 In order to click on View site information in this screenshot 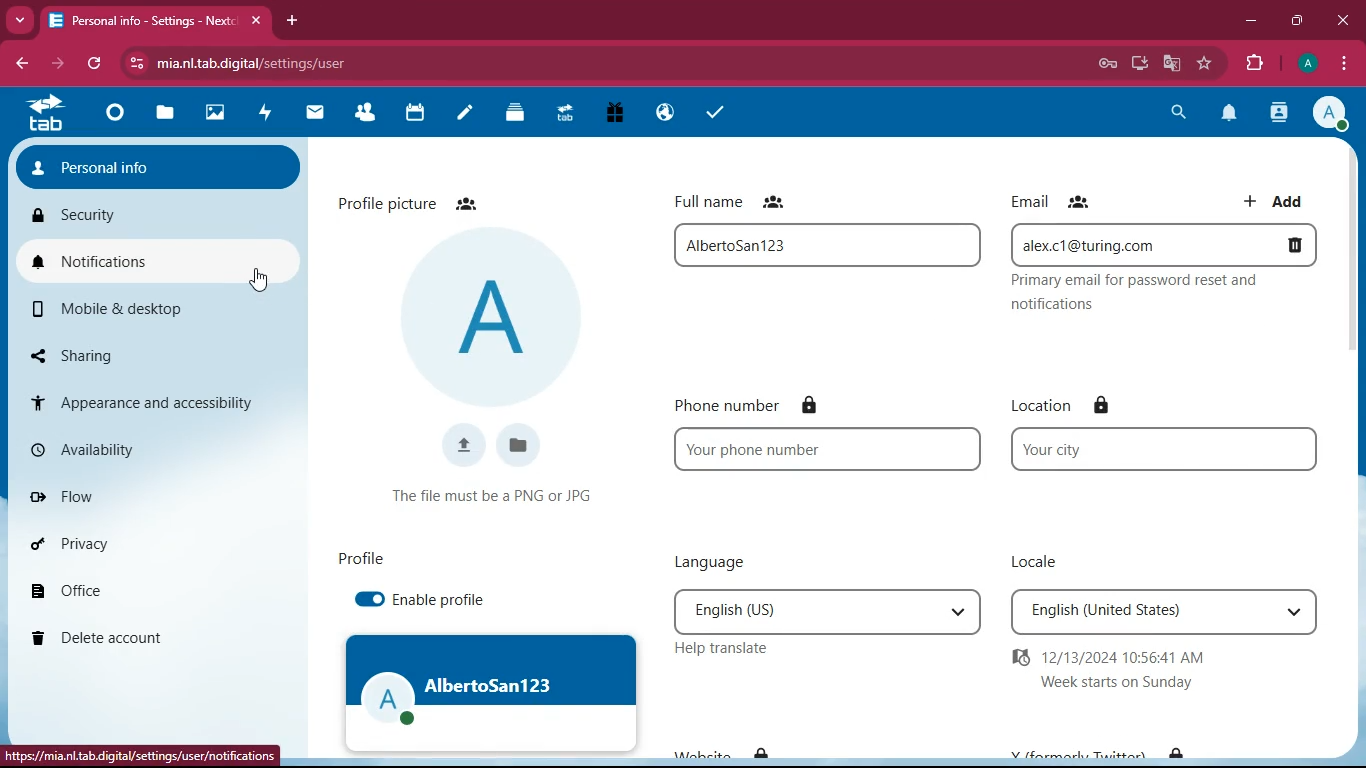, I will do `click(137, 63)`.